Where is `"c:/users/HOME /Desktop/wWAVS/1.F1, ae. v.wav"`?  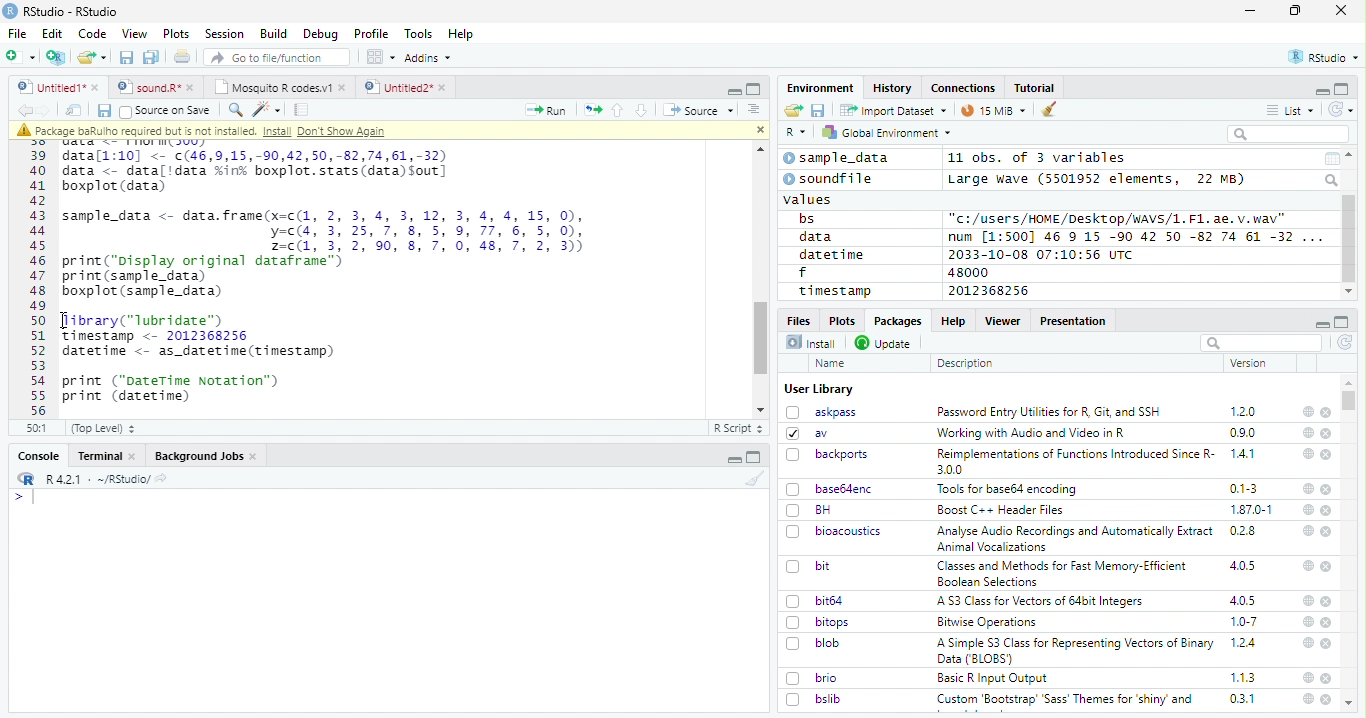
"c:/users/HOME /Desktop/wWAVS/1.F1, ae. v.wav" is located at coordinates (1119, 217).